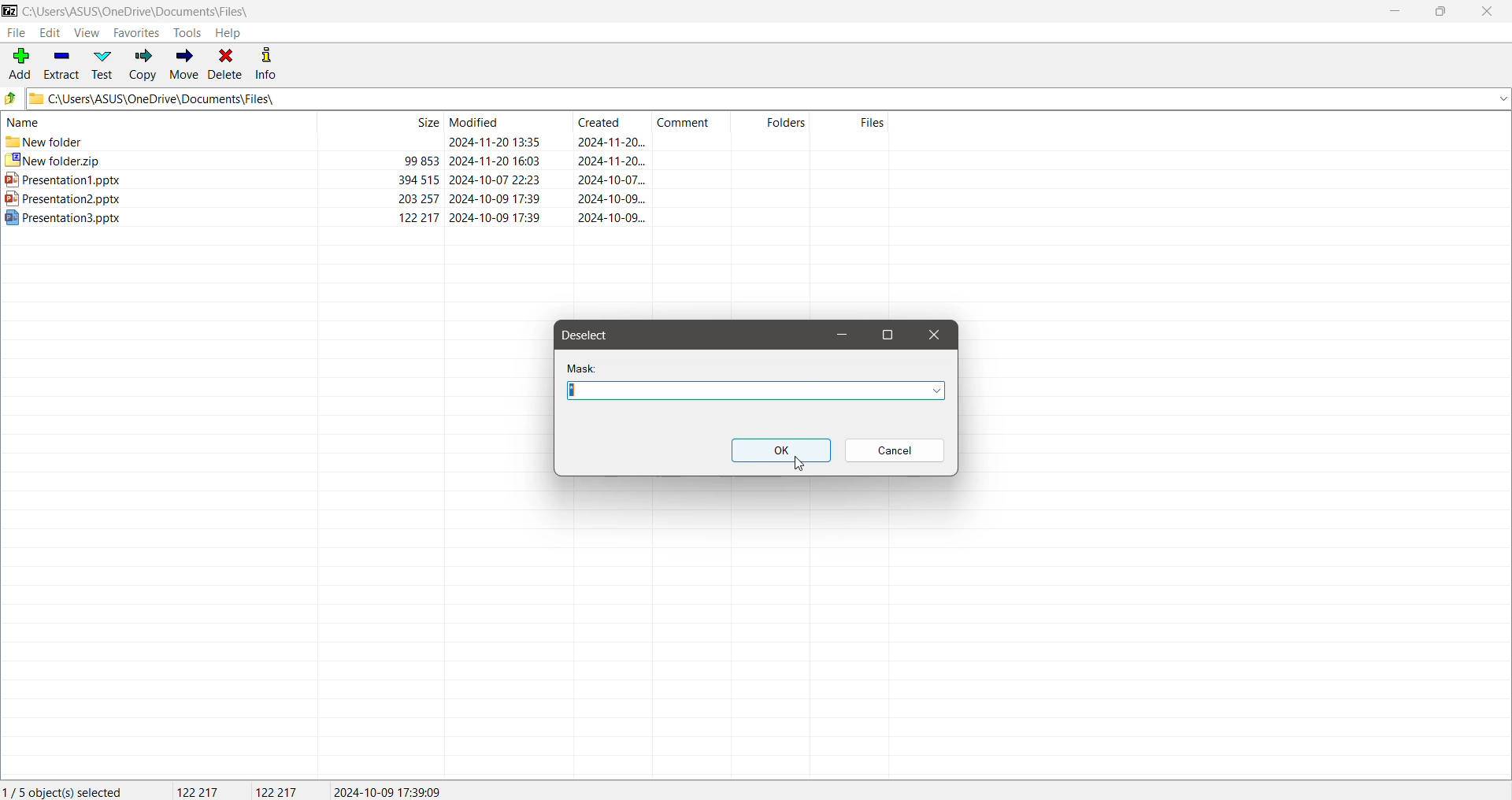 The height and width of the screenshot is (800, 1512). I want to click on Cancel, so click(896, 450).